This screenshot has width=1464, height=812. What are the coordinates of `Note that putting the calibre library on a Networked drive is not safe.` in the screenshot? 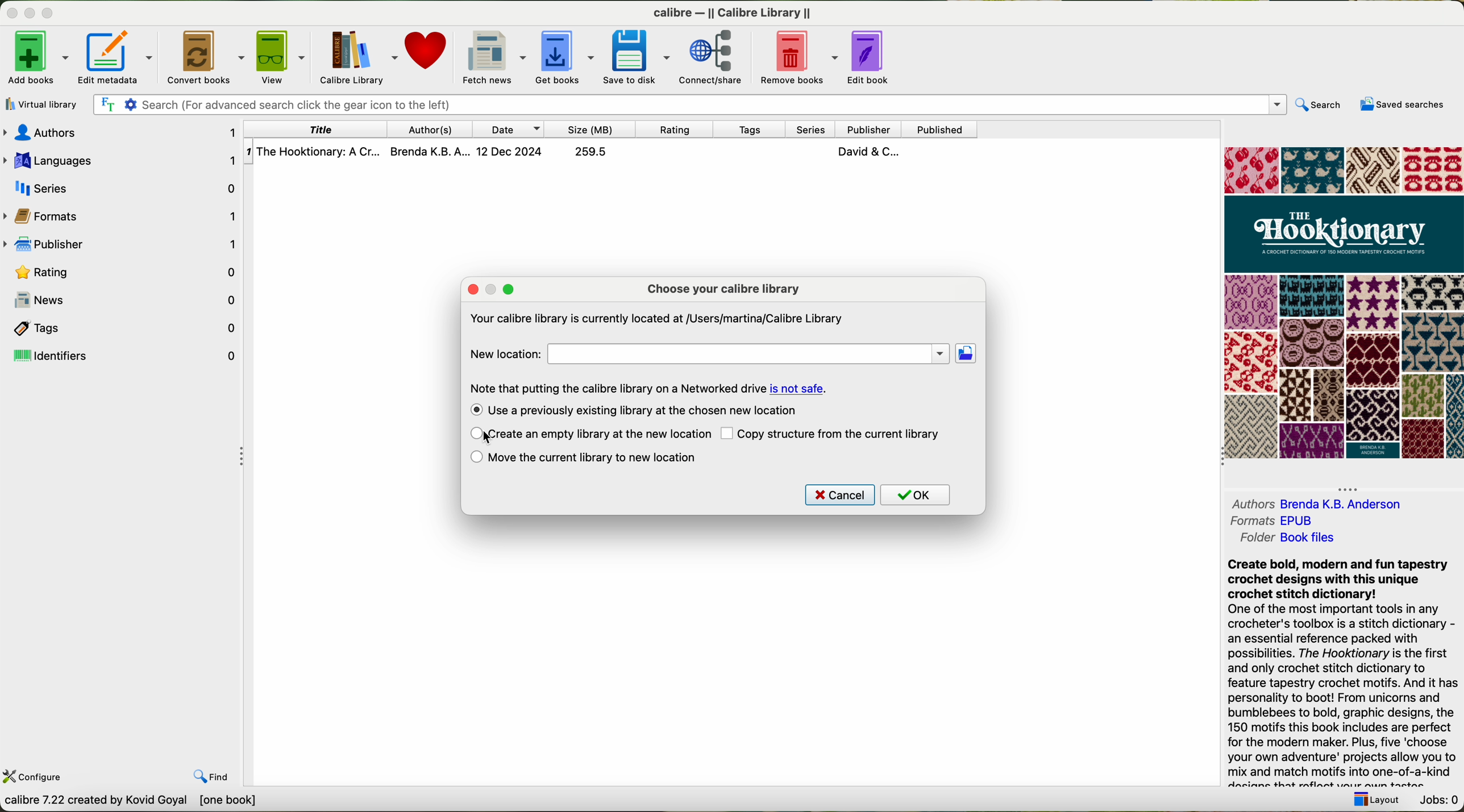 It's located at (647, 387).